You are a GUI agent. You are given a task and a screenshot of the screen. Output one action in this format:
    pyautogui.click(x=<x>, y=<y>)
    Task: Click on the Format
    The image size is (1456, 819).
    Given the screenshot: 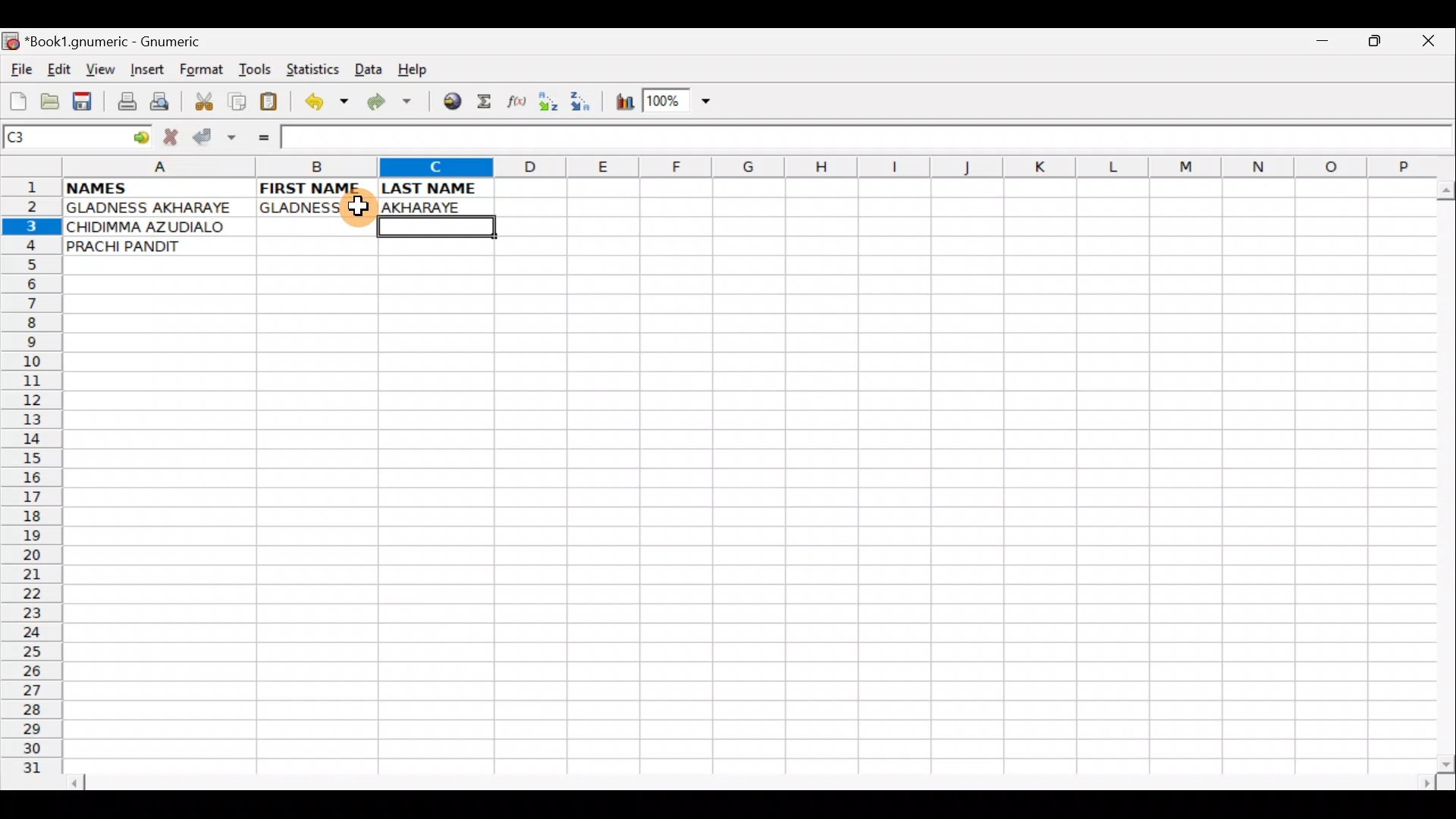 What is the action you would take?
    pyautogui.click(x=205, y=71)
    